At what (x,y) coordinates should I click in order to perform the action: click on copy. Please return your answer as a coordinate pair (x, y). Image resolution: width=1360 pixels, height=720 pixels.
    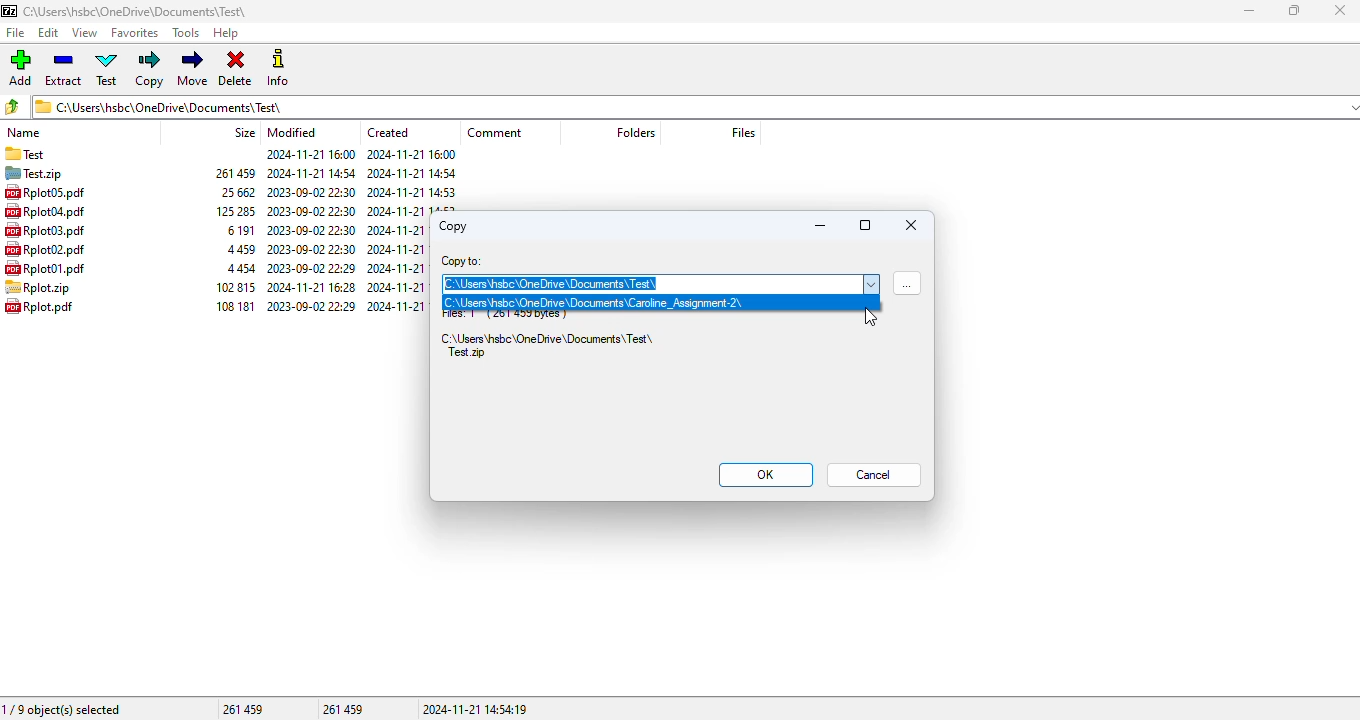
    Looking at the image, I should click on (151, 70).